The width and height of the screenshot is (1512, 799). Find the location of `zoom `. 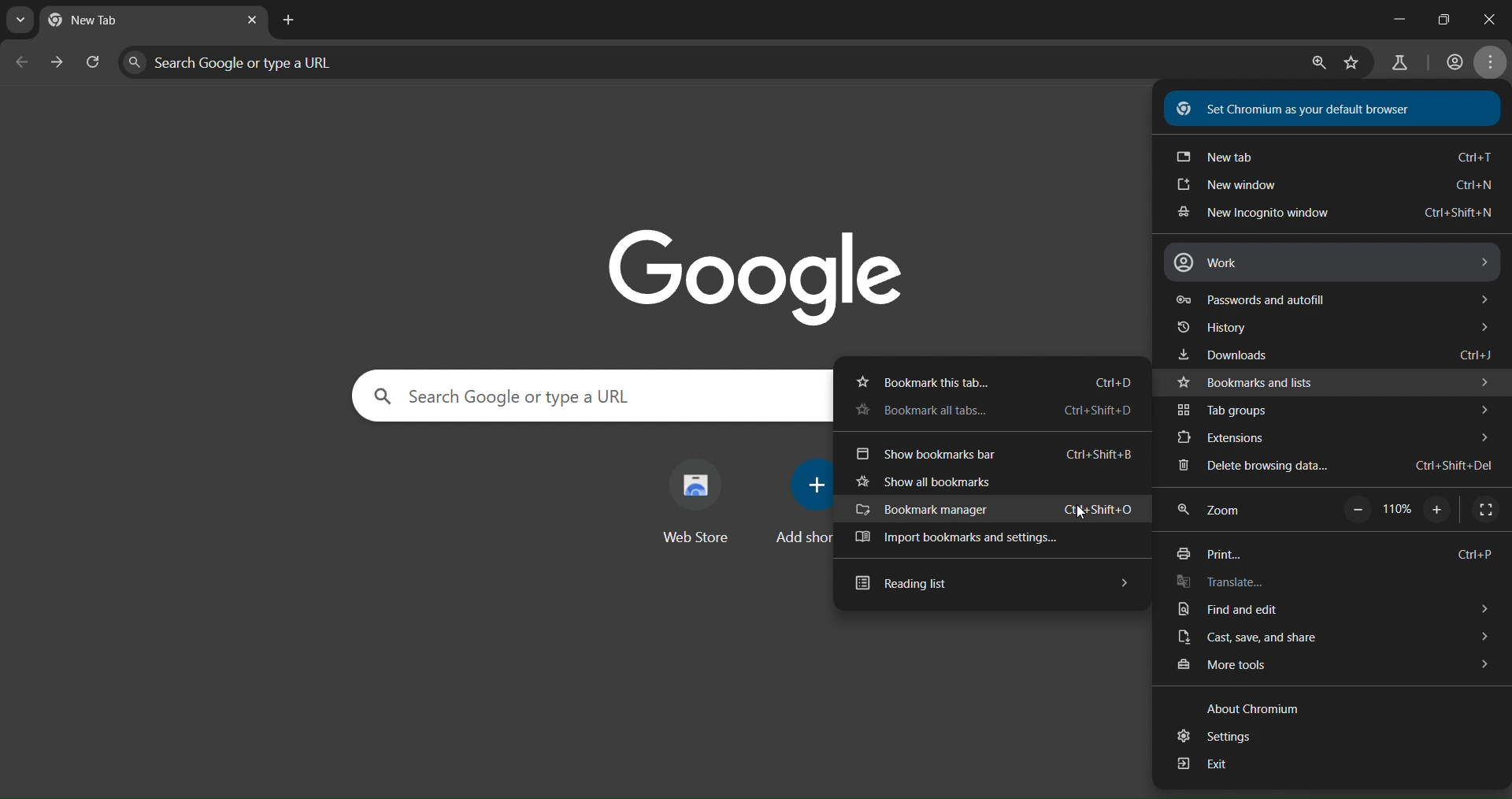

zoom  is located at coordinates (1220, 511).